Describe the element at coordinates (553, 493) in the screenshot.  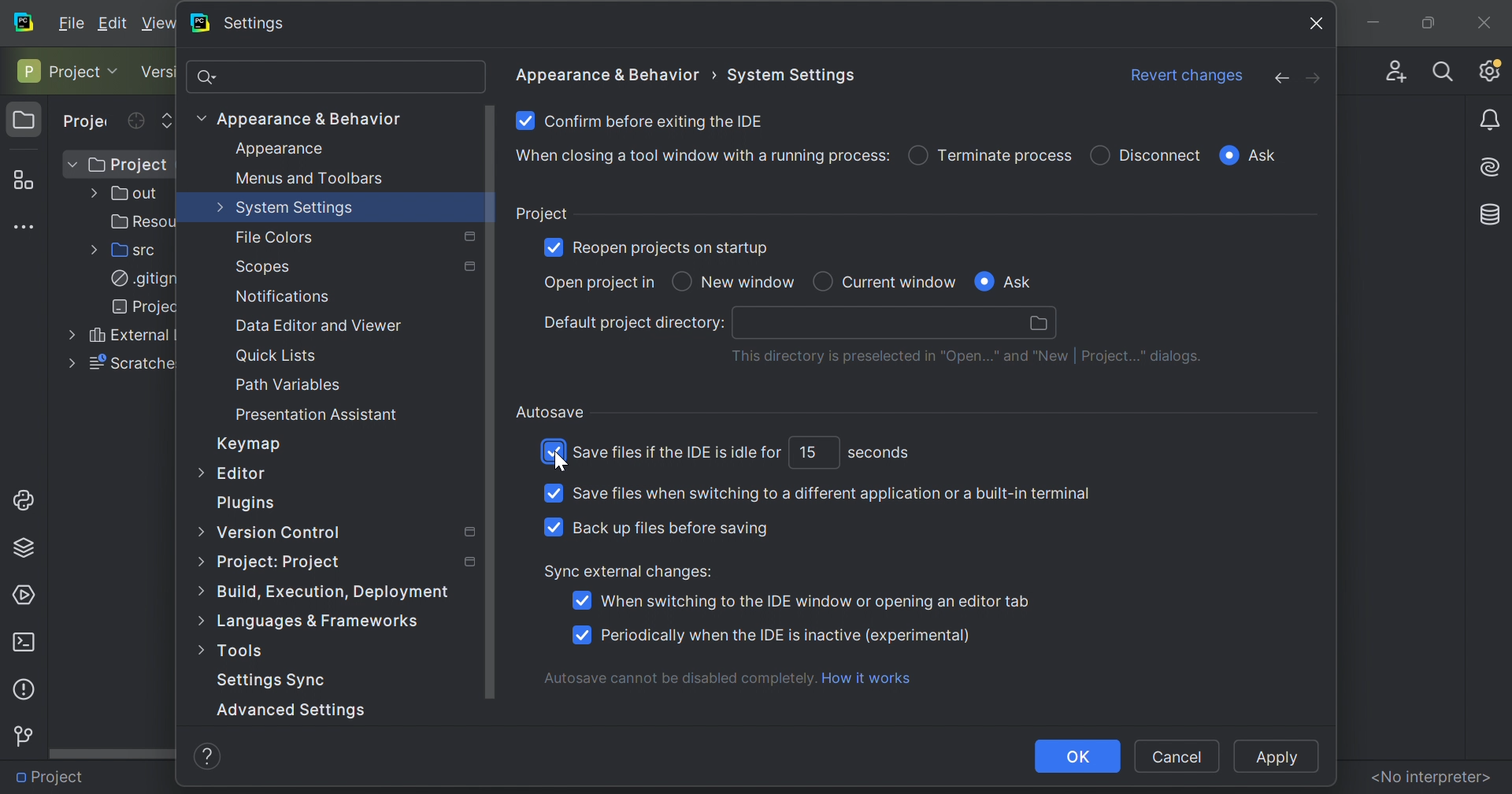
I see `Checkbox` at that location.